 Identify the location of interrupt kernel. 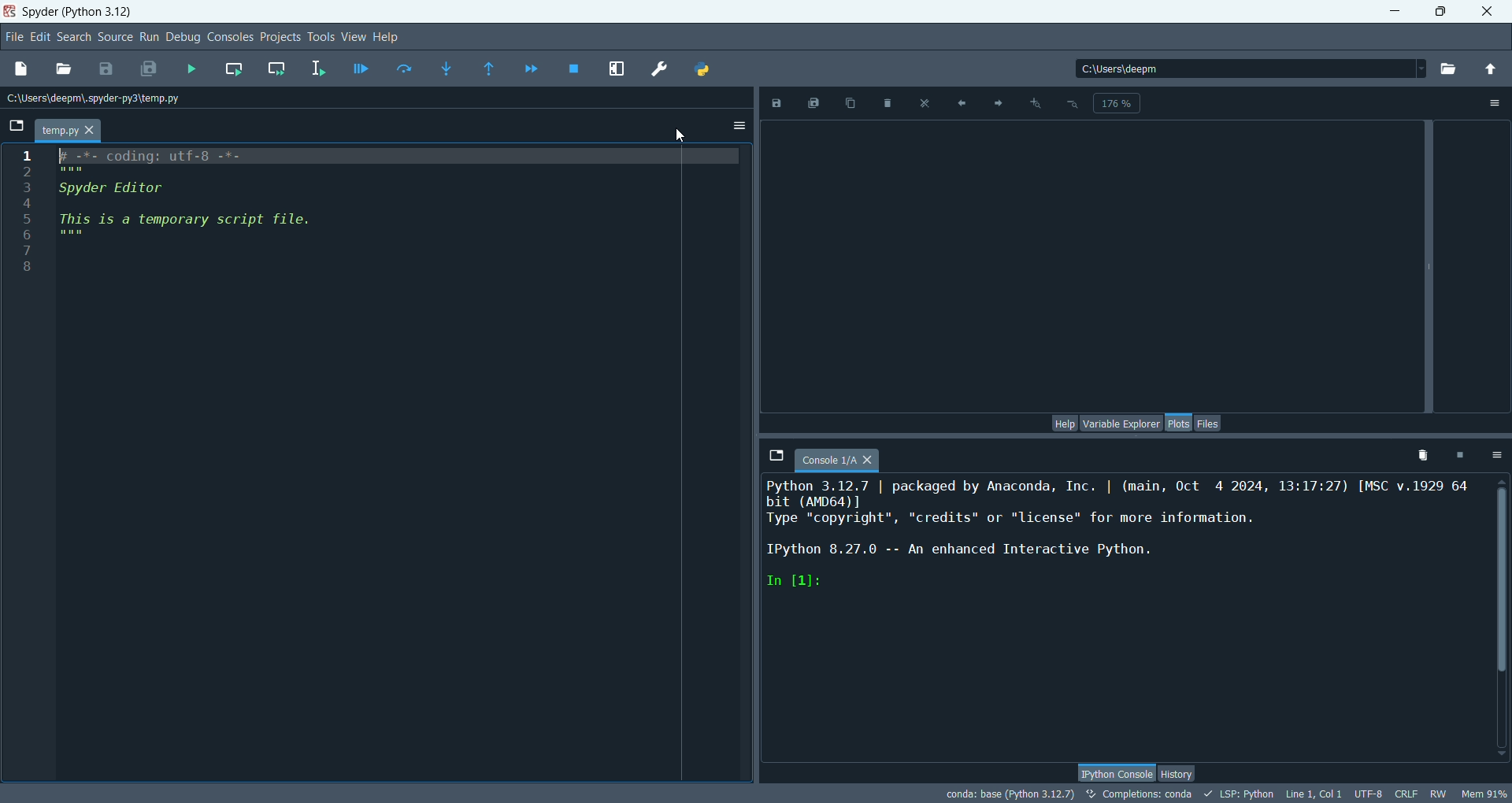
(1462, 454).